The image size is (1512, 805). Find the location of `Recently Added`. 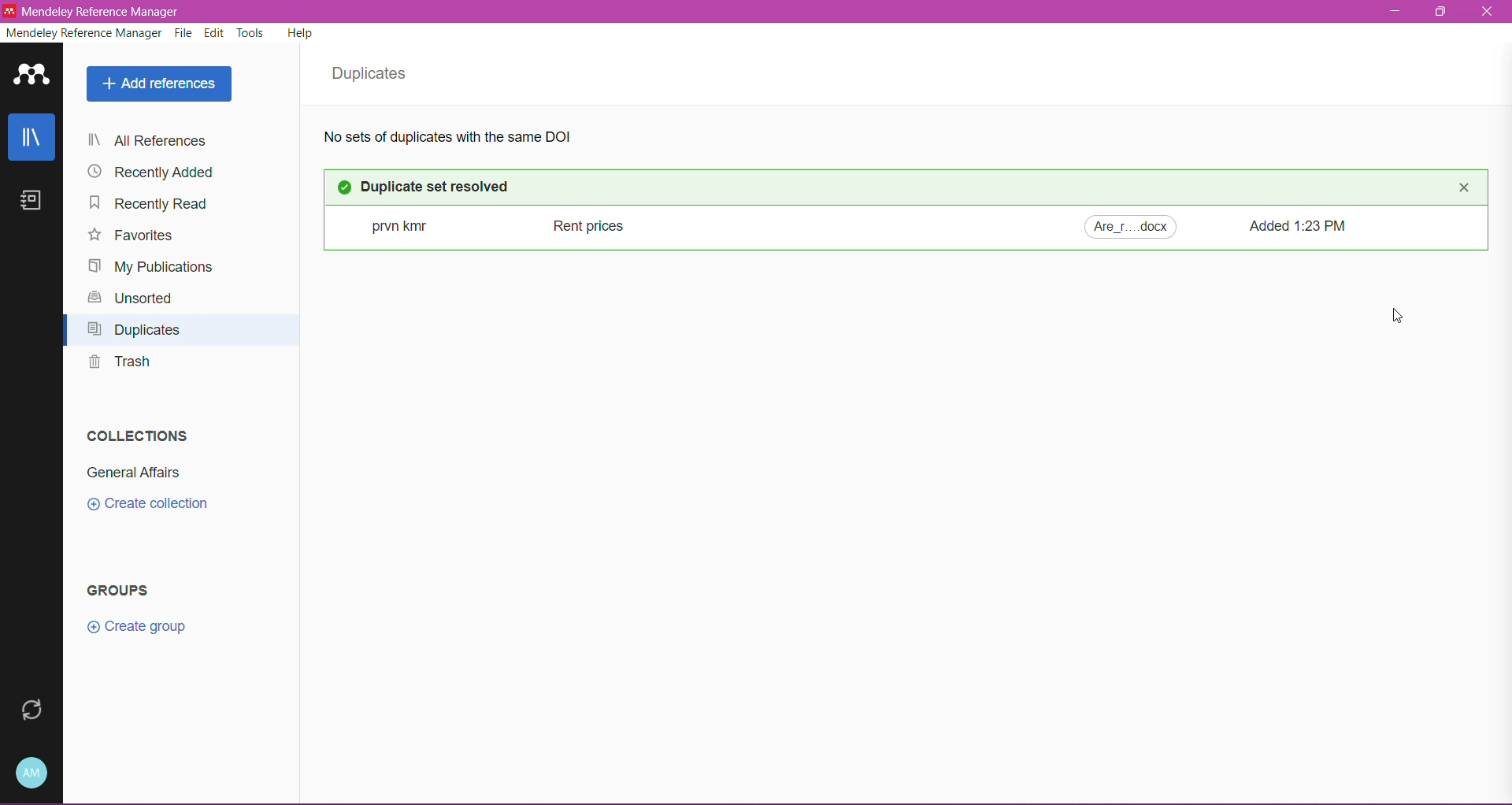

Recently Added is located at coordinates (153, 172).